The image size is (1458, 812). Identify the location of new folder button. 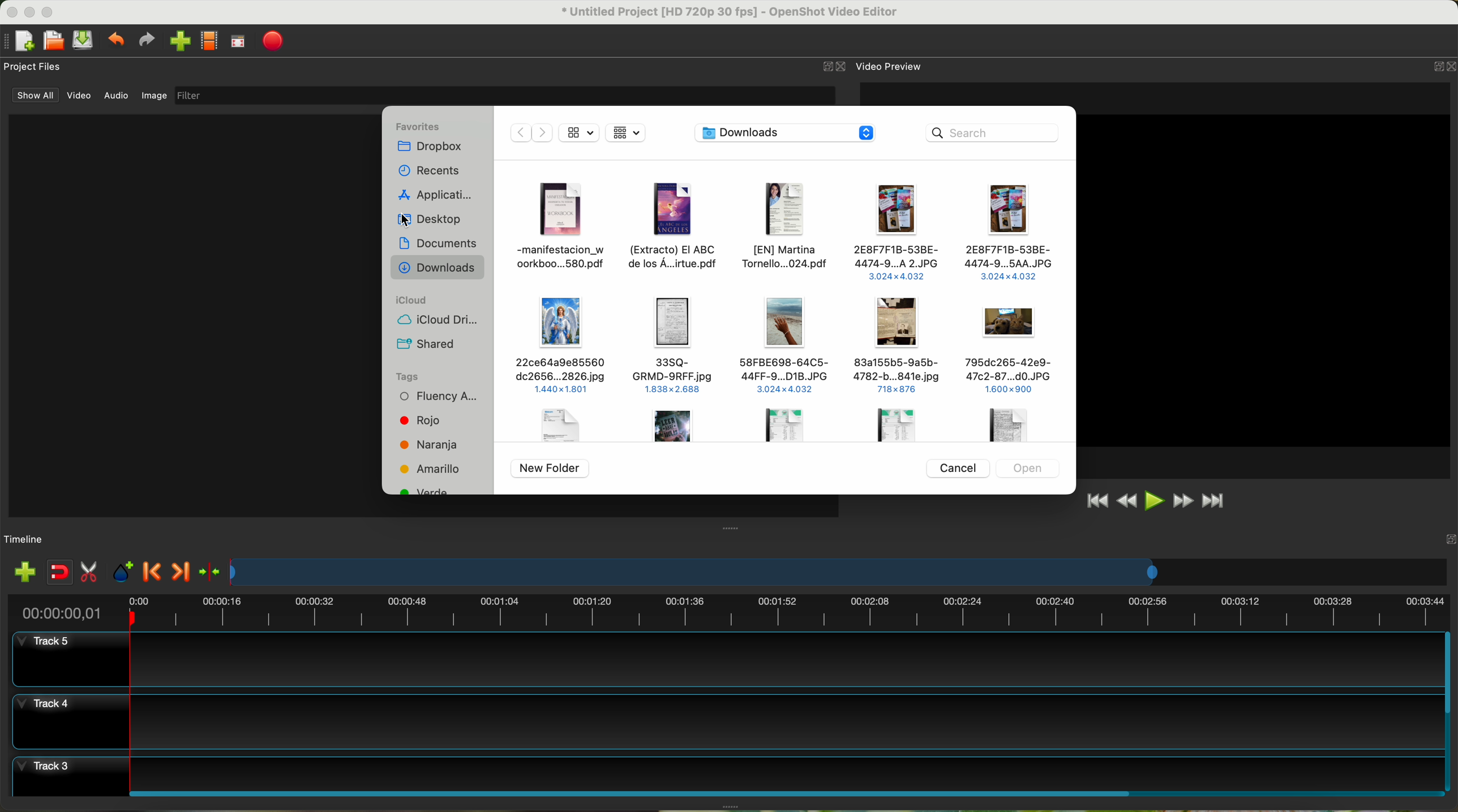
(550, 469).